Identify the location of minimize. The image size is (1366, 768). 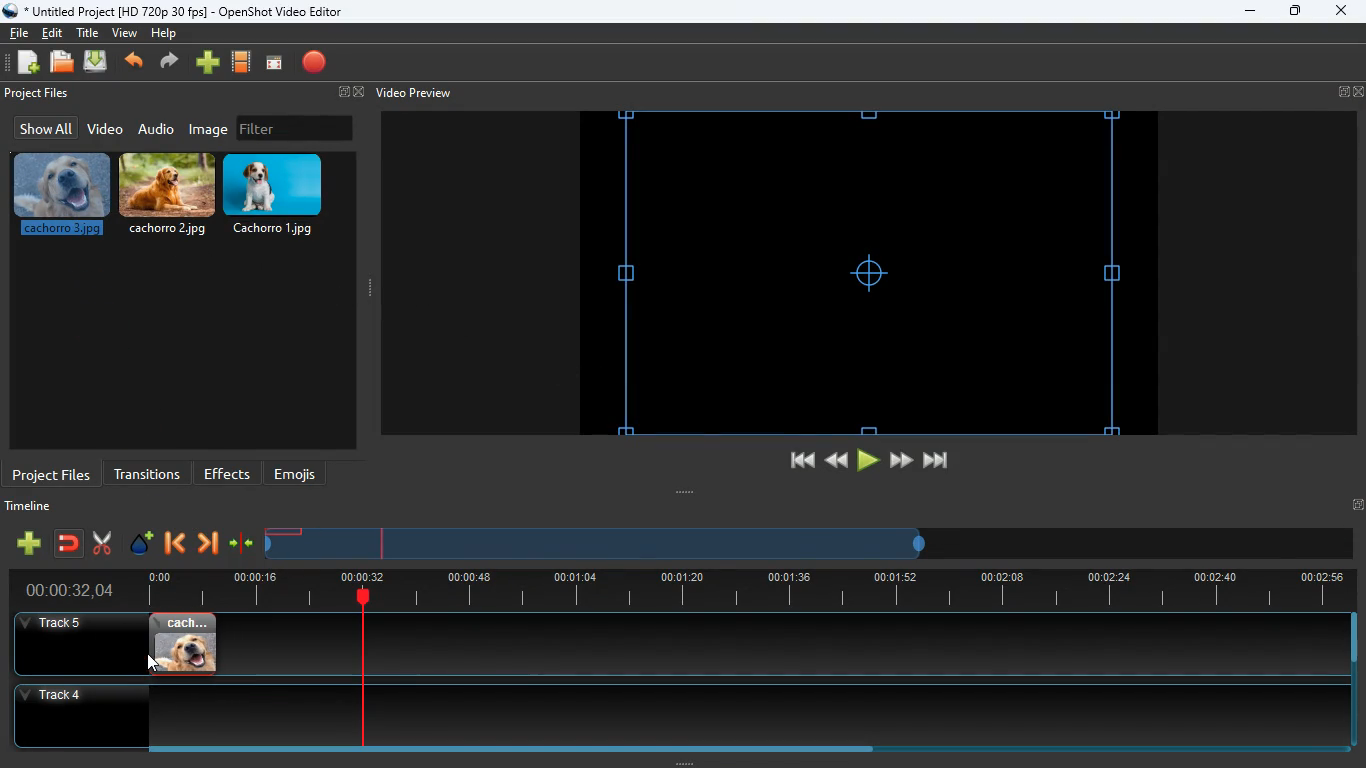
(1250, 12).